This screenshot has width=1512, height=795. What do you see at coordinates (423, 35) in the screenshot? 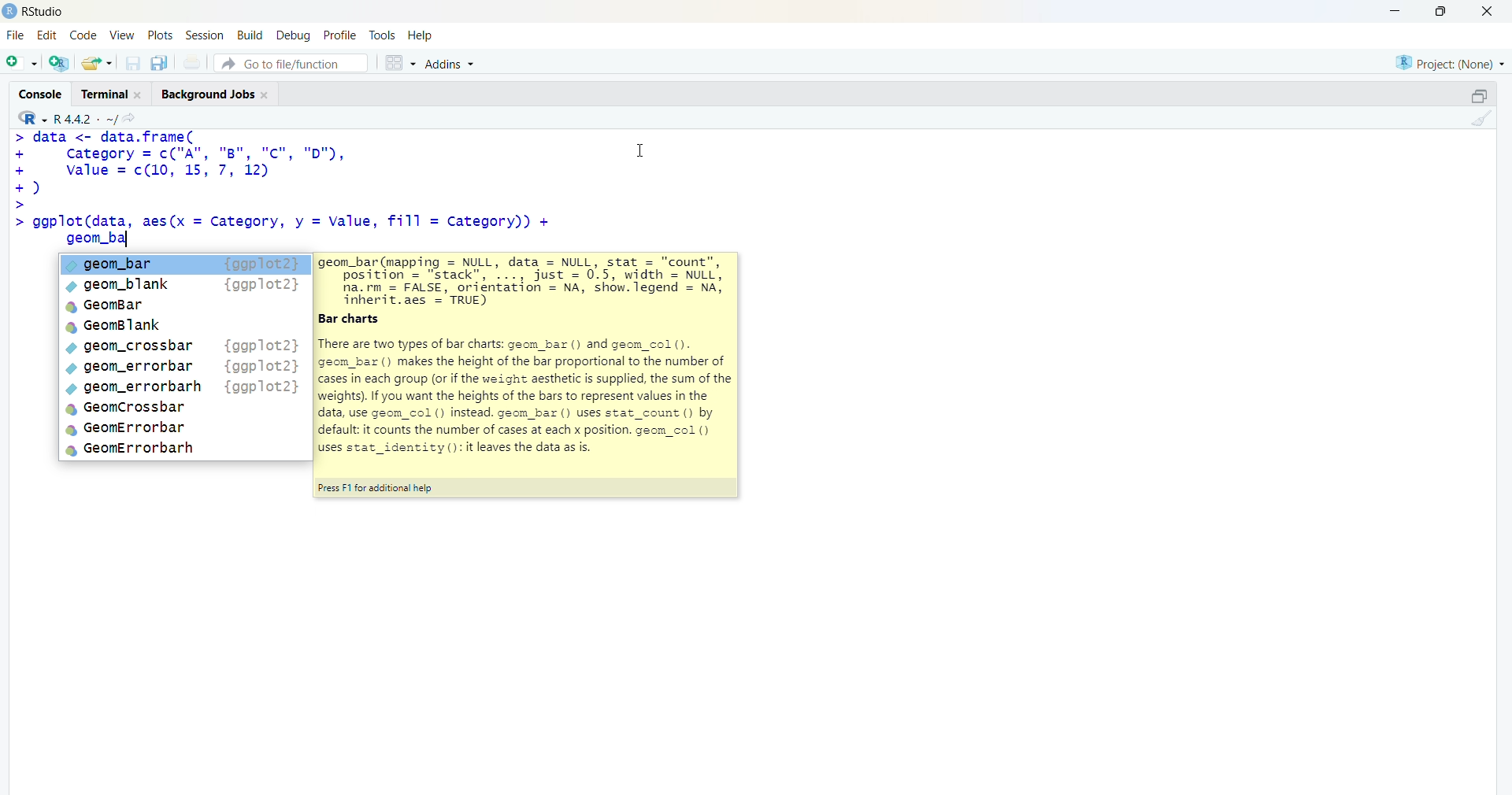
I see `help` at bounding box center [423, 35].